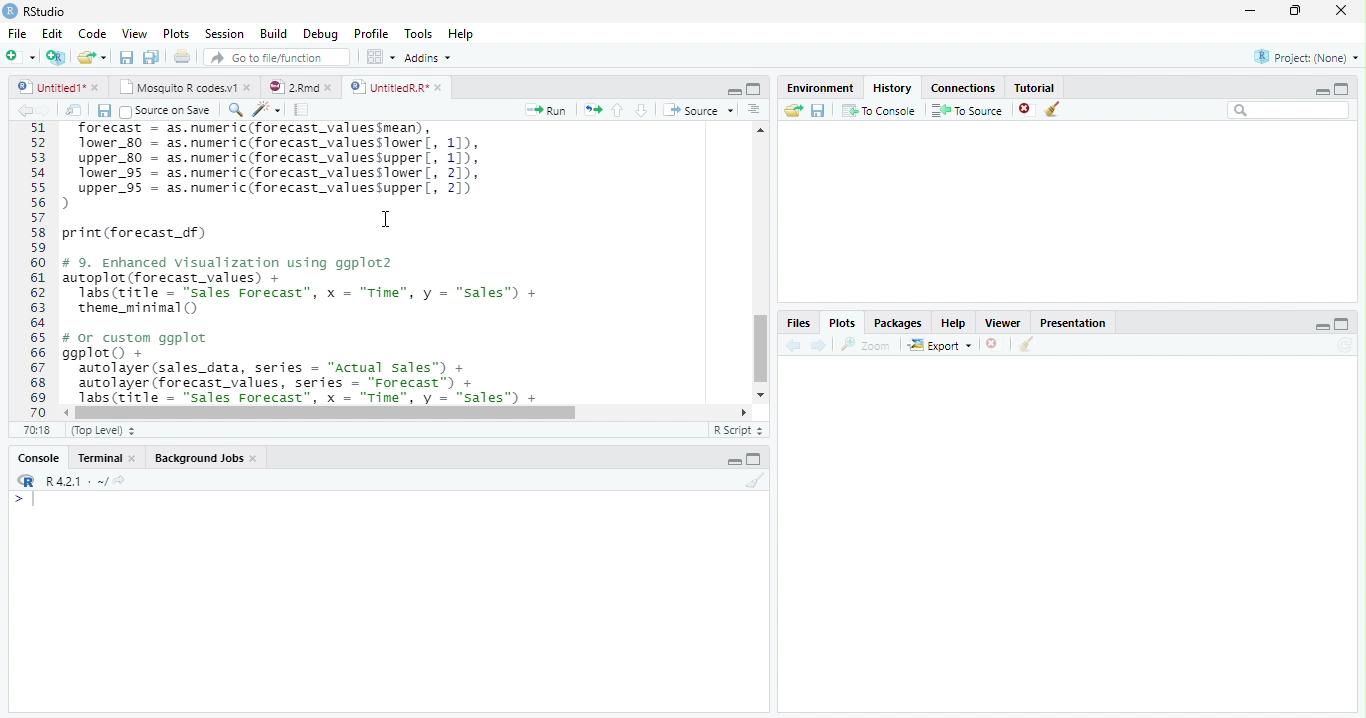  Describe the element at coordinates (880, 111) in the screenshot. I see `To Console` at that location.